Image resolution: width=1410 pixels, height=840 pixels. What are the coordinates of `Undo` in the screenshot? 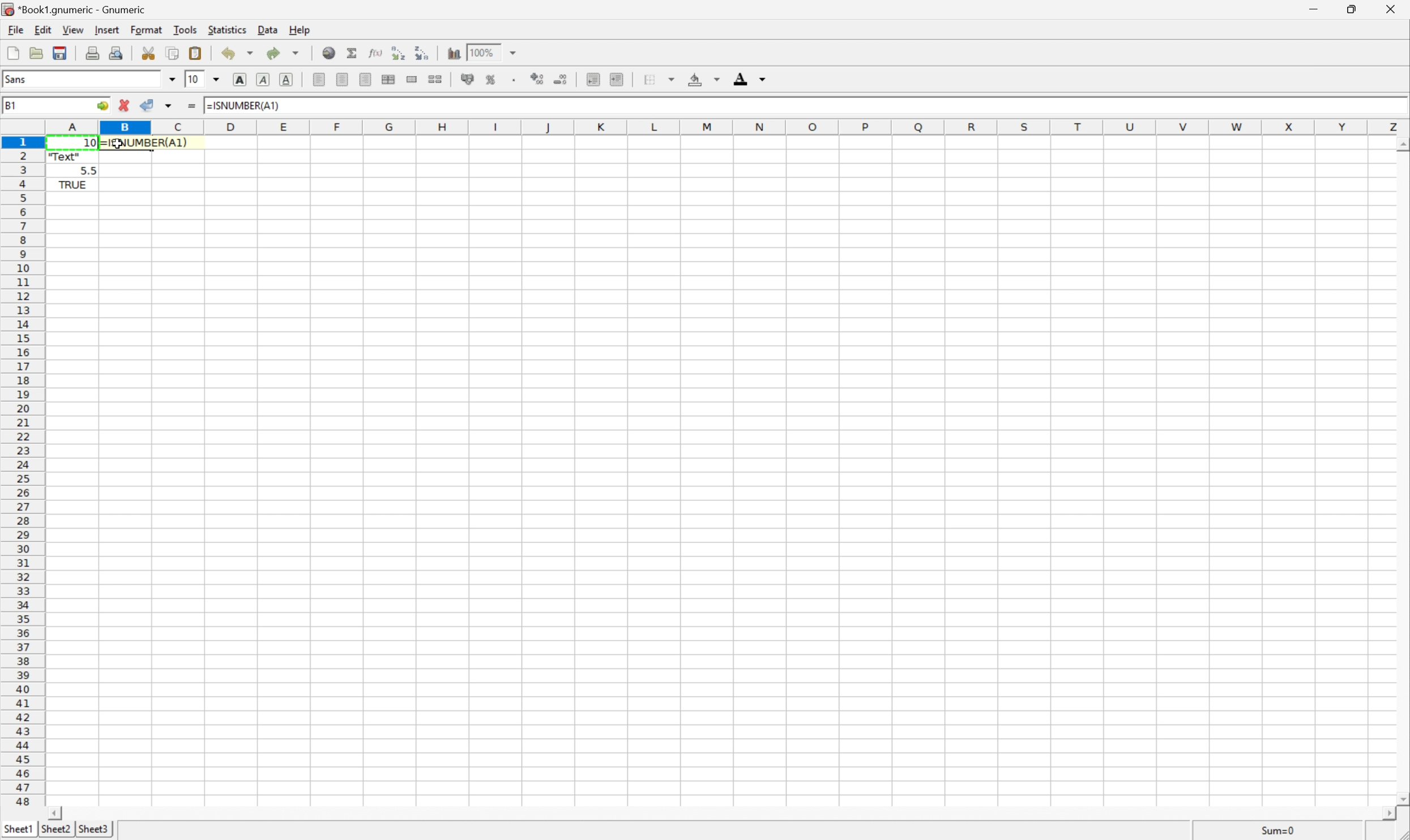 It's located at (238, 52).